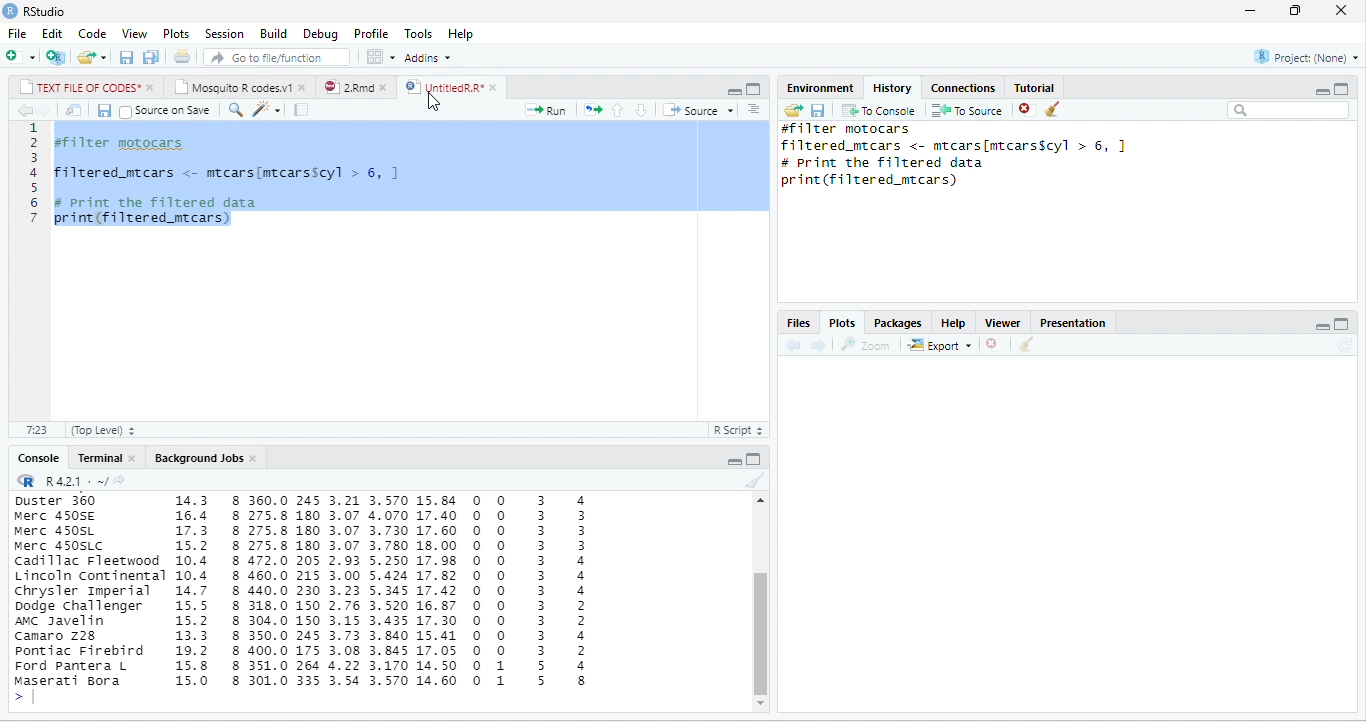 The height and width of the screenshot is (722, 1366). What do you see at coordinates (1322, 326) in the screenshot?
I see `minimize` at bounding box center [1322, 326].